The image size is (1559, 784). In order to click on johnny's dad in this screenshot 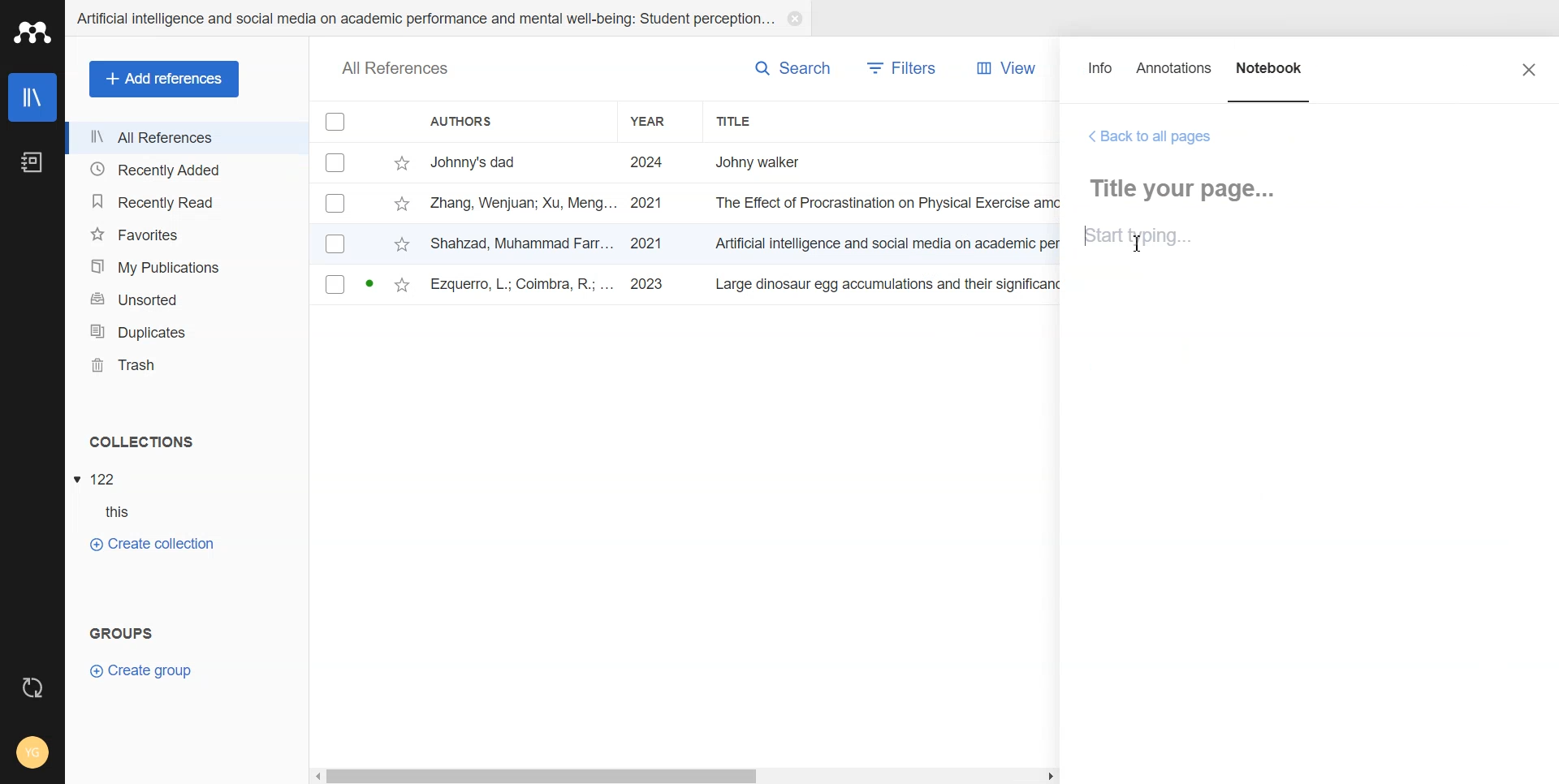, I will do `click(524, 161)`.